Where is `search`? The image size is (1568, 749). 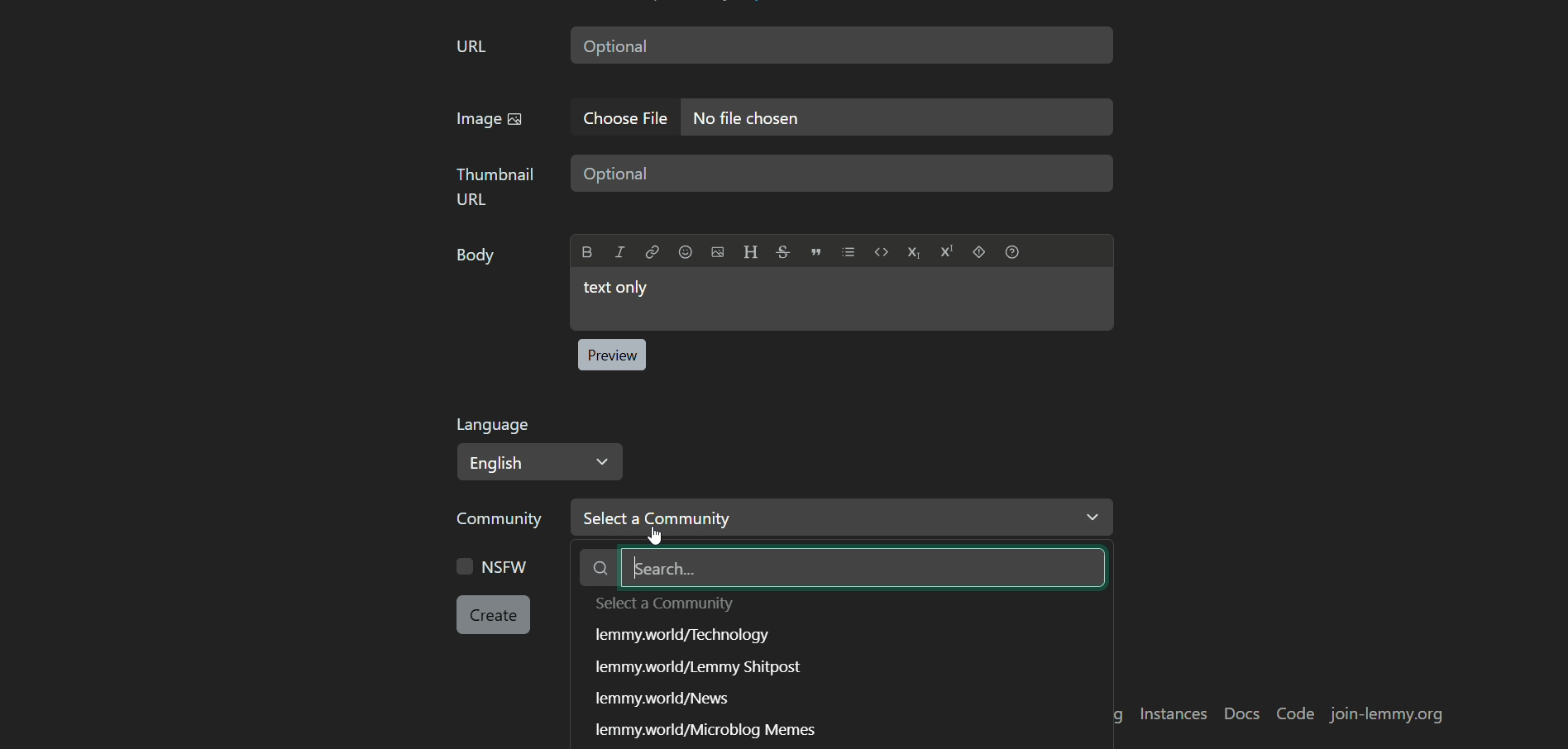
search is located at coordinates (848, 567).